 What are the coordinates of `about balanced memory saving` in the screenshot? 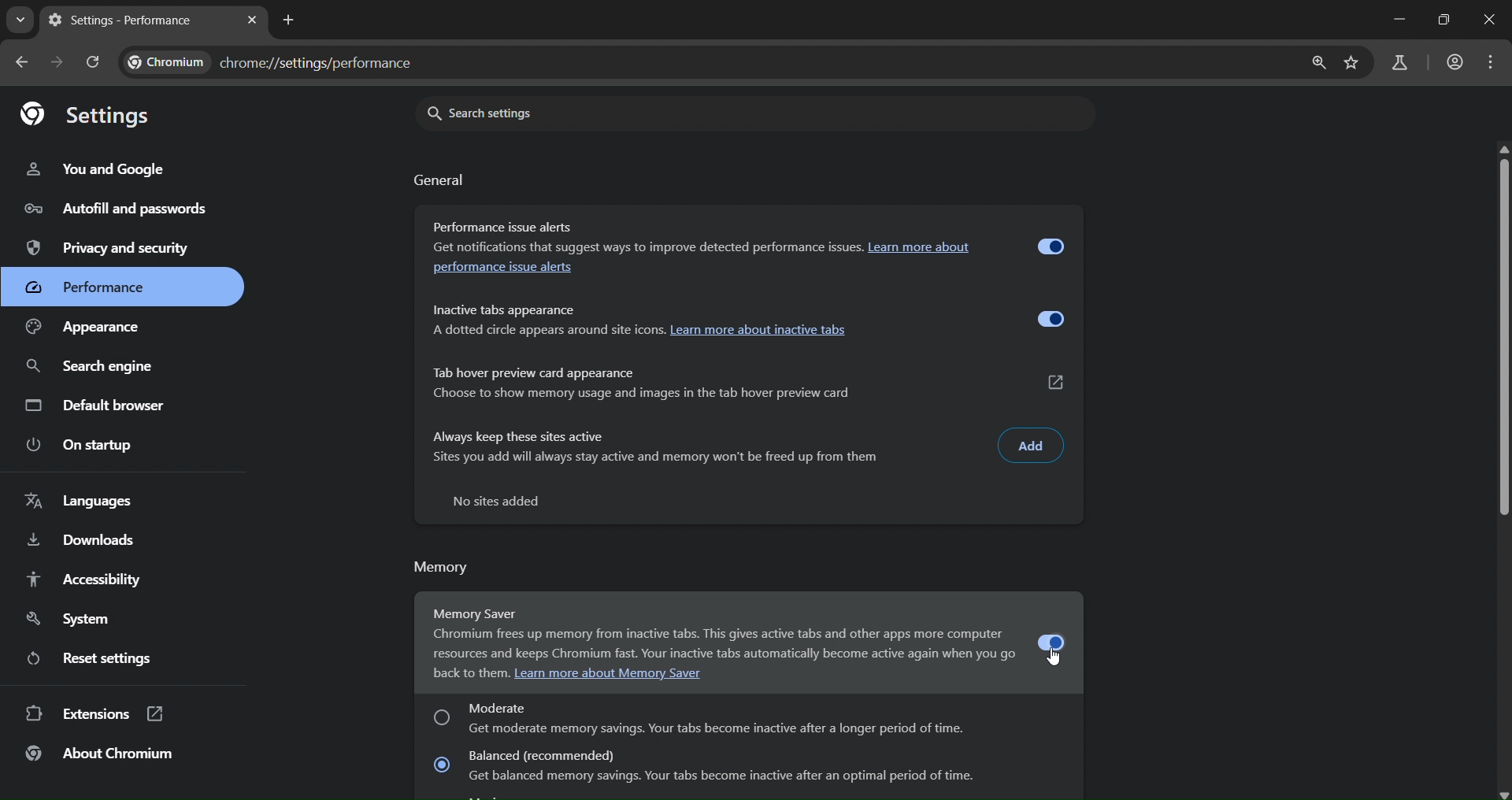 It's located at (724, 778).